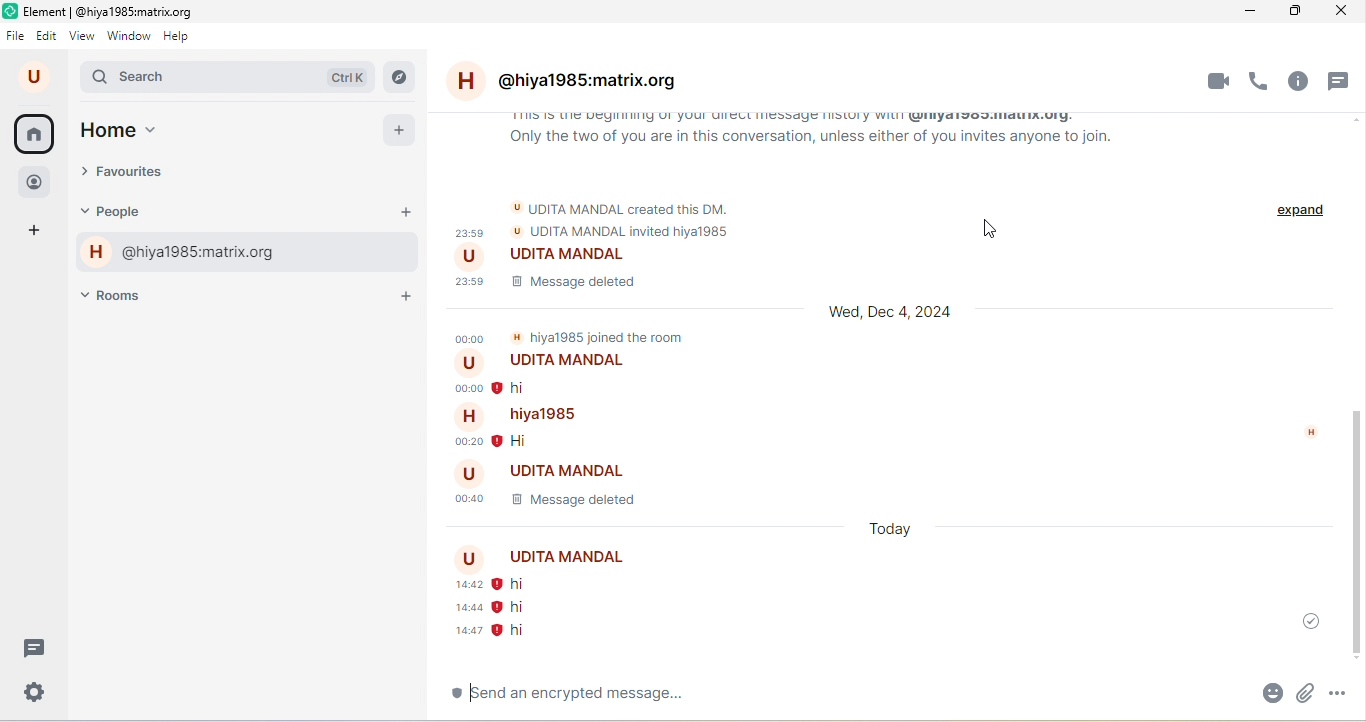 The image size is (1366, 722). What do you see at coordinates (456, 585) in the screenshot?
I see `14.42` at bounding box center [456, 585].